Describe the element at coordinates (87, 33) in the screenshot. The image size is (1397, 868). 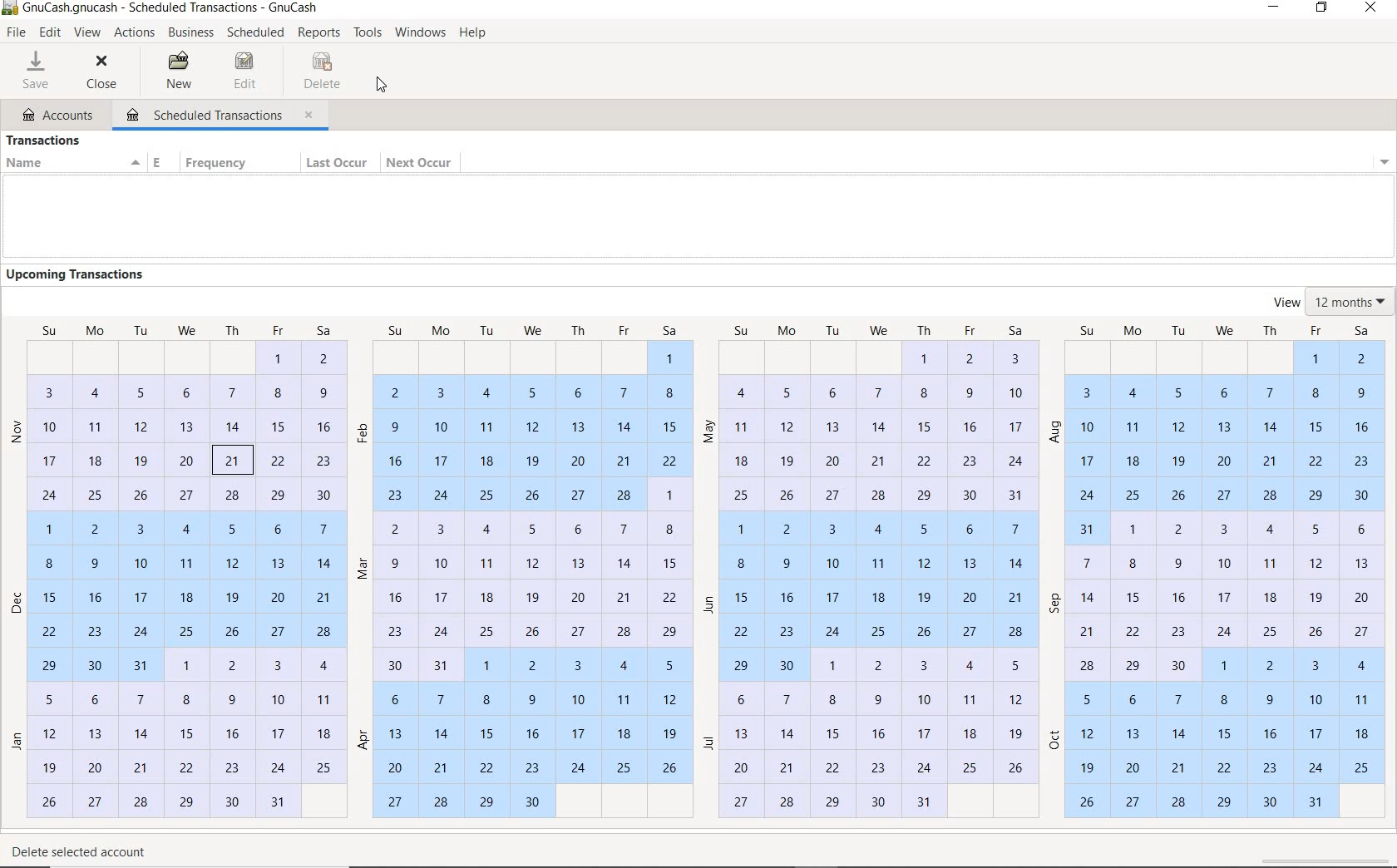
I see `VIEW` at that location.